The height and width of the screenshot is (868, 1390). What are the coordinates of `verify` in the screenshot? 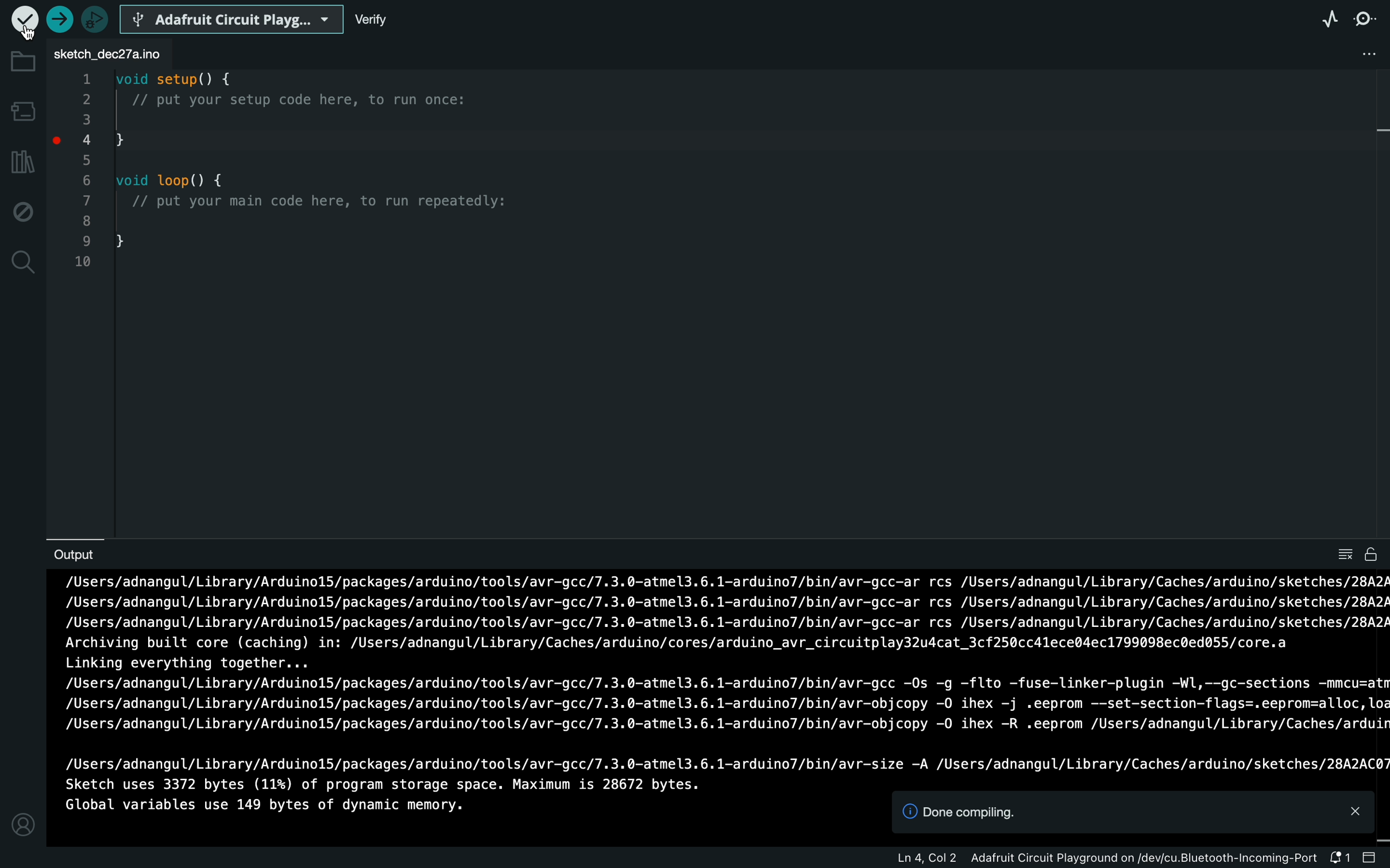 It's located at (393, 21).